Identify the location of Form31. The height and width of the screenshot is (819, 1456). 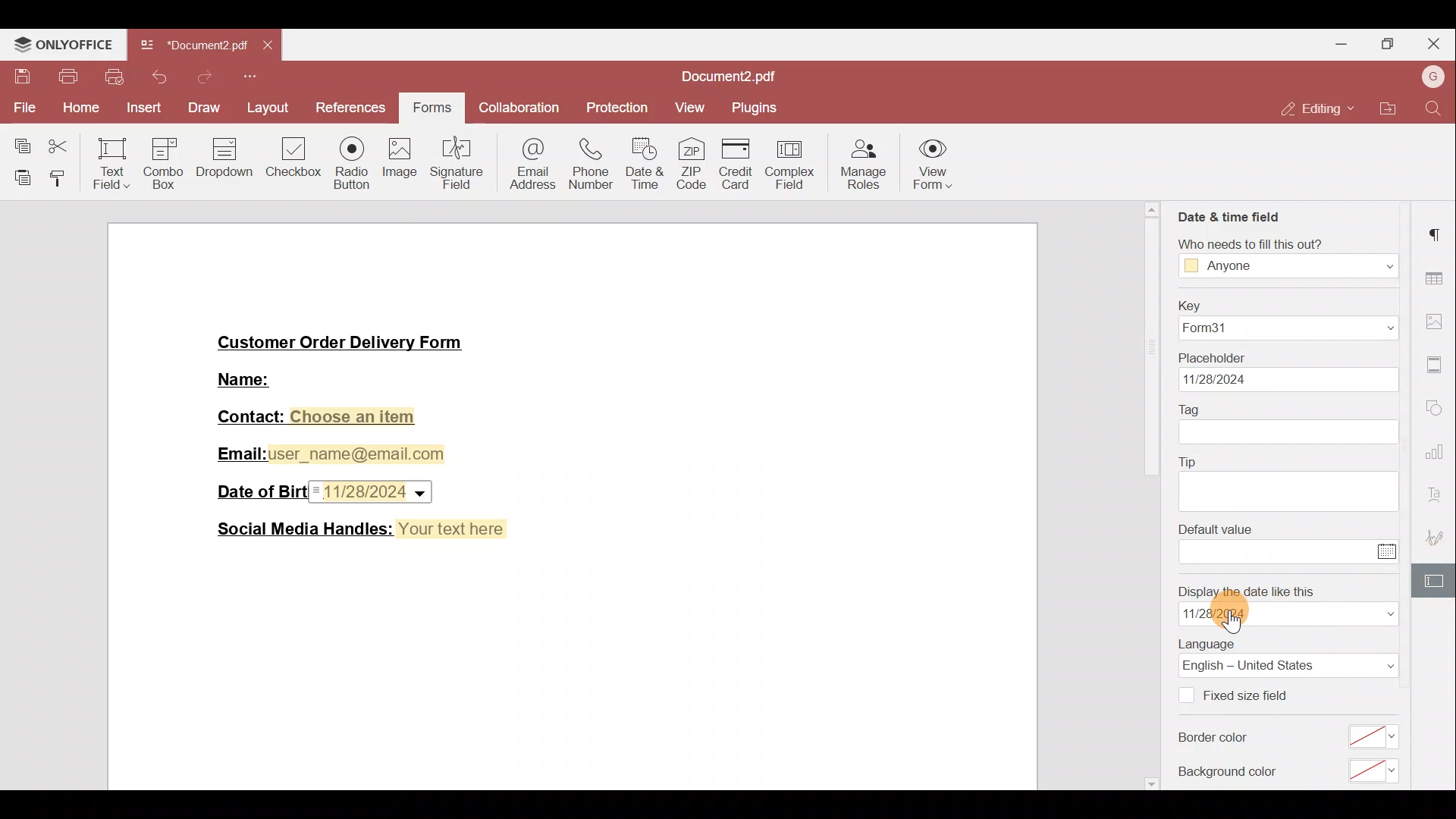
(1290, 329).